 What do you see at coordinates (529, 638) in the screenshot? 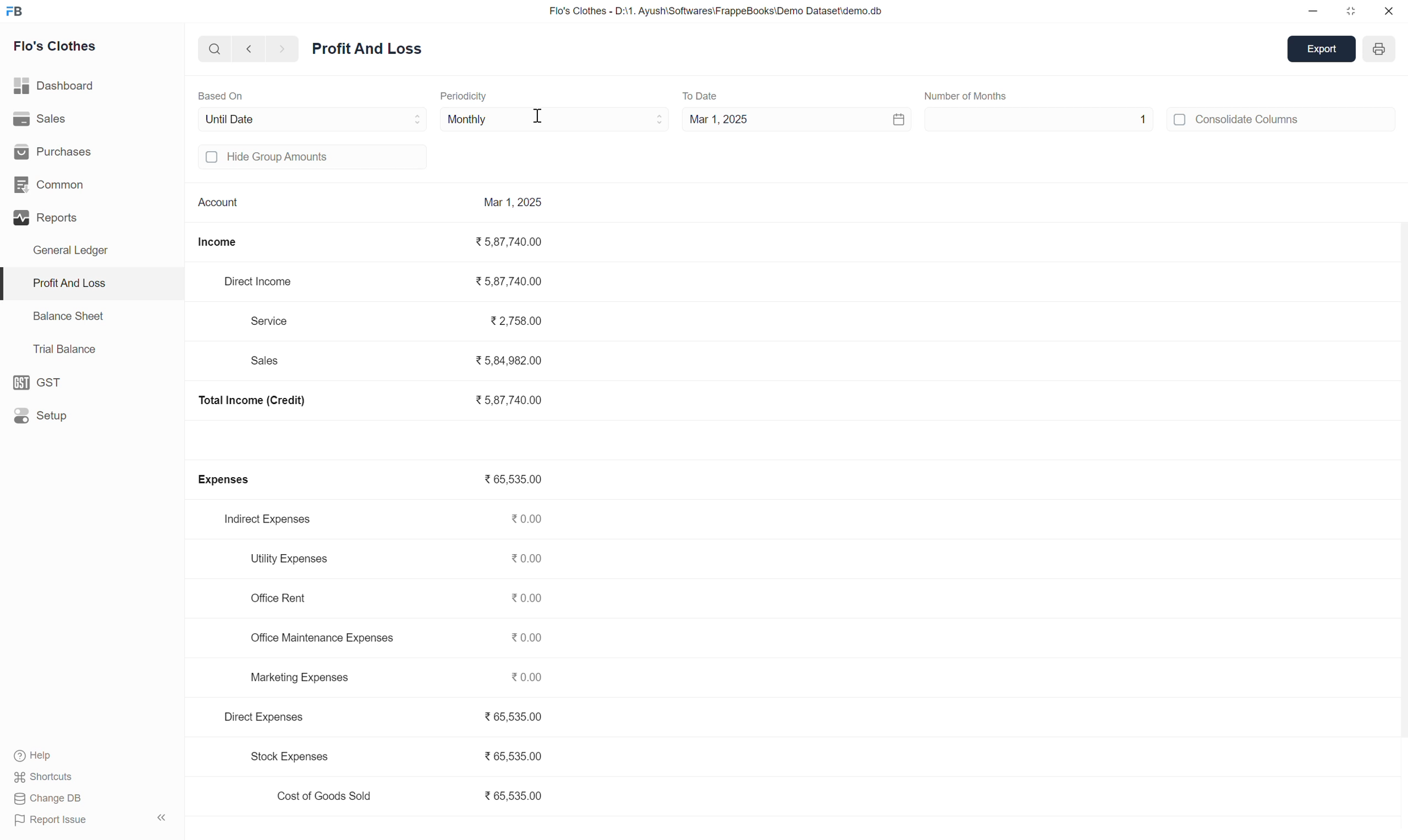
I see `₹0.00` at bounding box center [529, 638].